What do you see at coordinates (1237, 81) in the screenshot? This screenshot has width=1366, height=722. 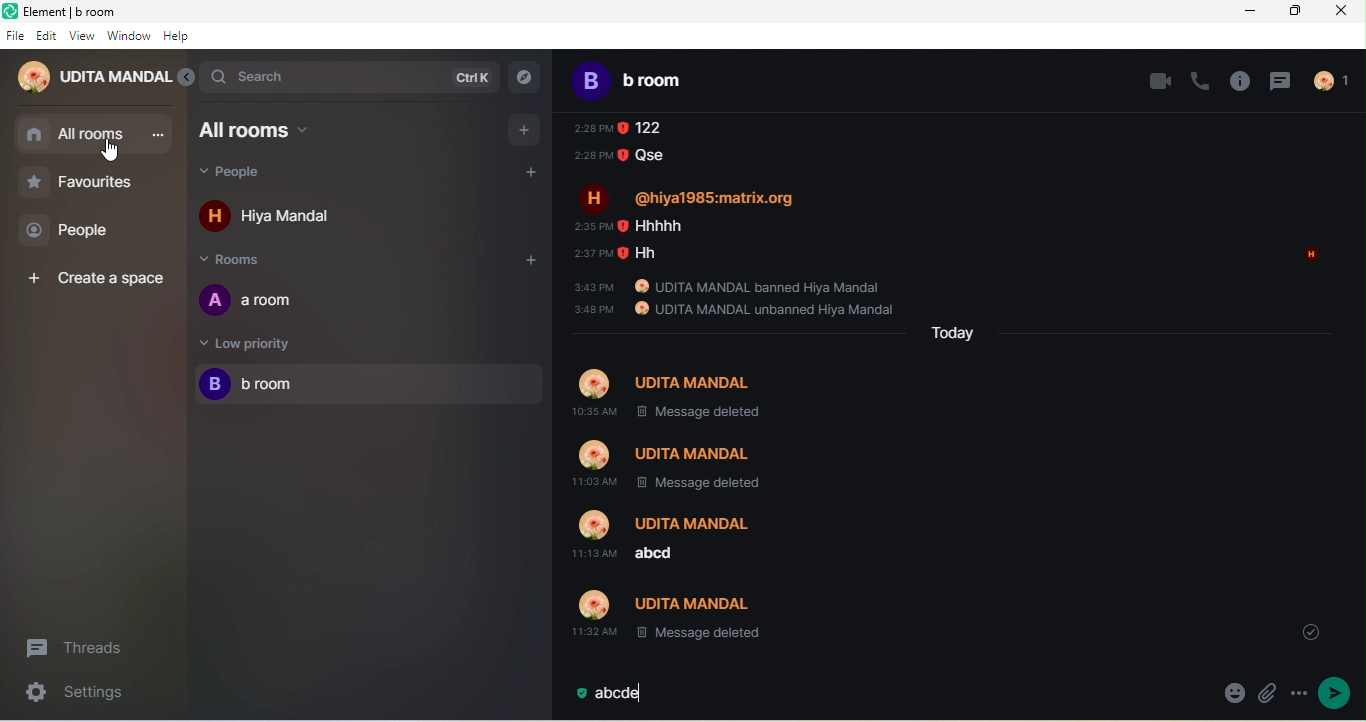 I see `info` at bounding box center [1237, 81].